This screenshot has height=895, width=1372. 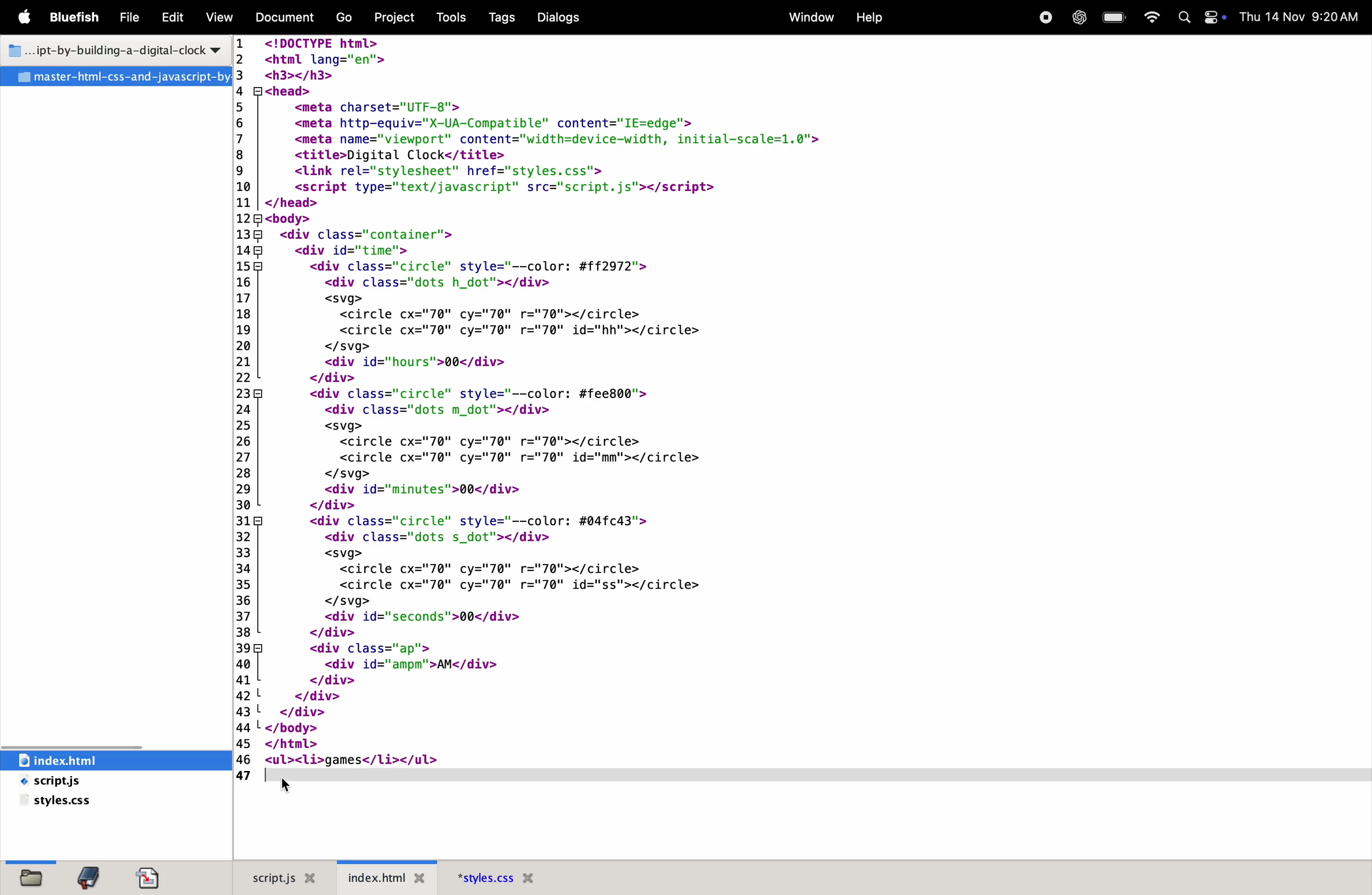 What do you see at coordinates (563, 17) in the screenshot?
I see `Dialogs` at bounding box center [563, 17].